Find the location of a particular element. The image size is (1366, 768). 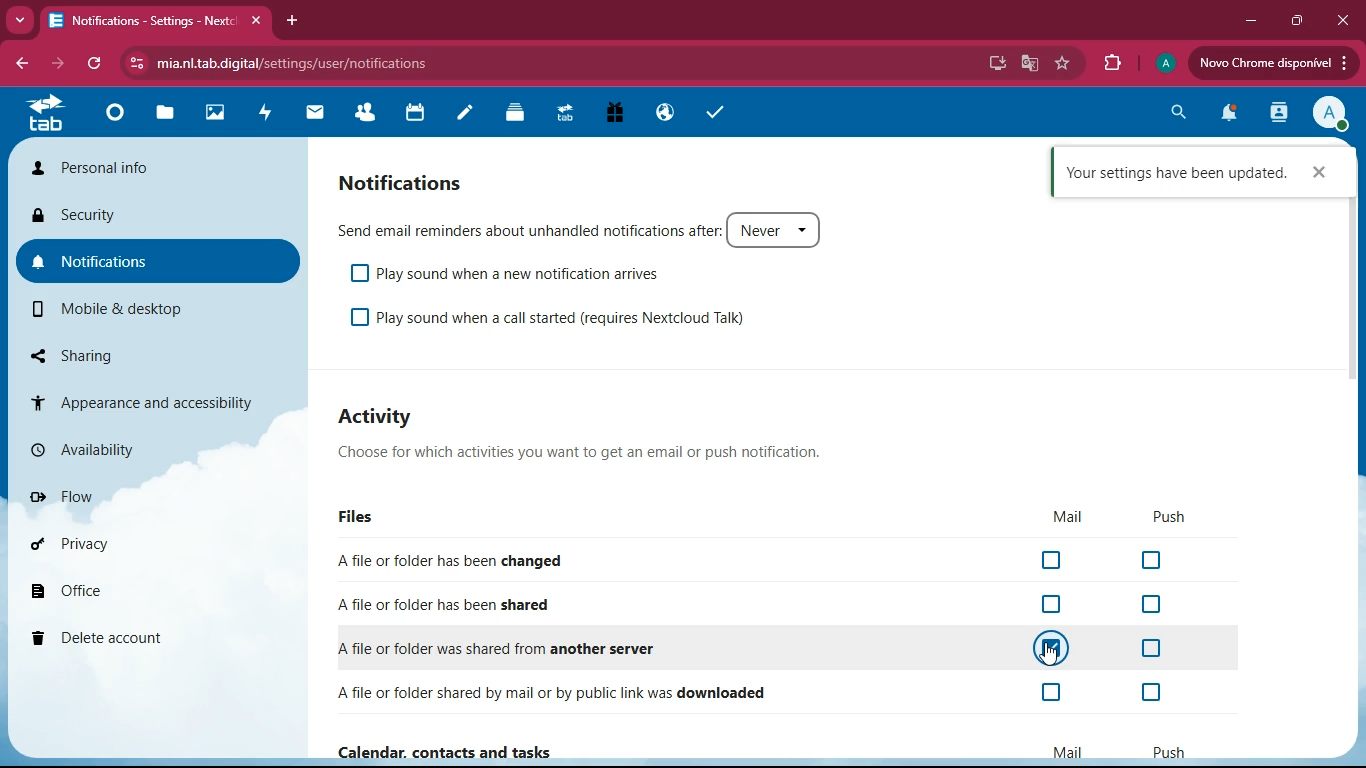

notifications is located at coordinates (149, 262).